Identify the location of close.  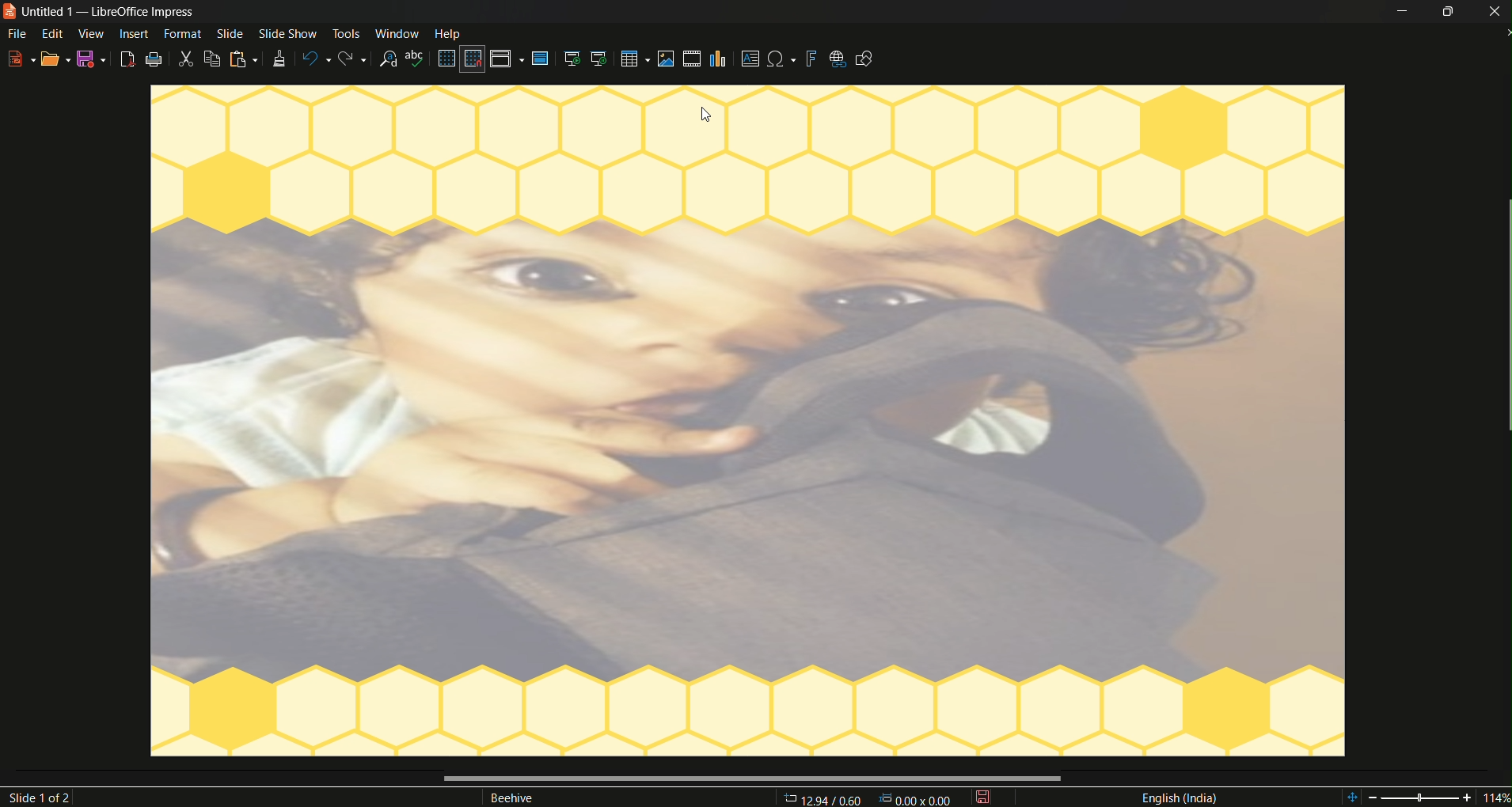
(1494, 13).